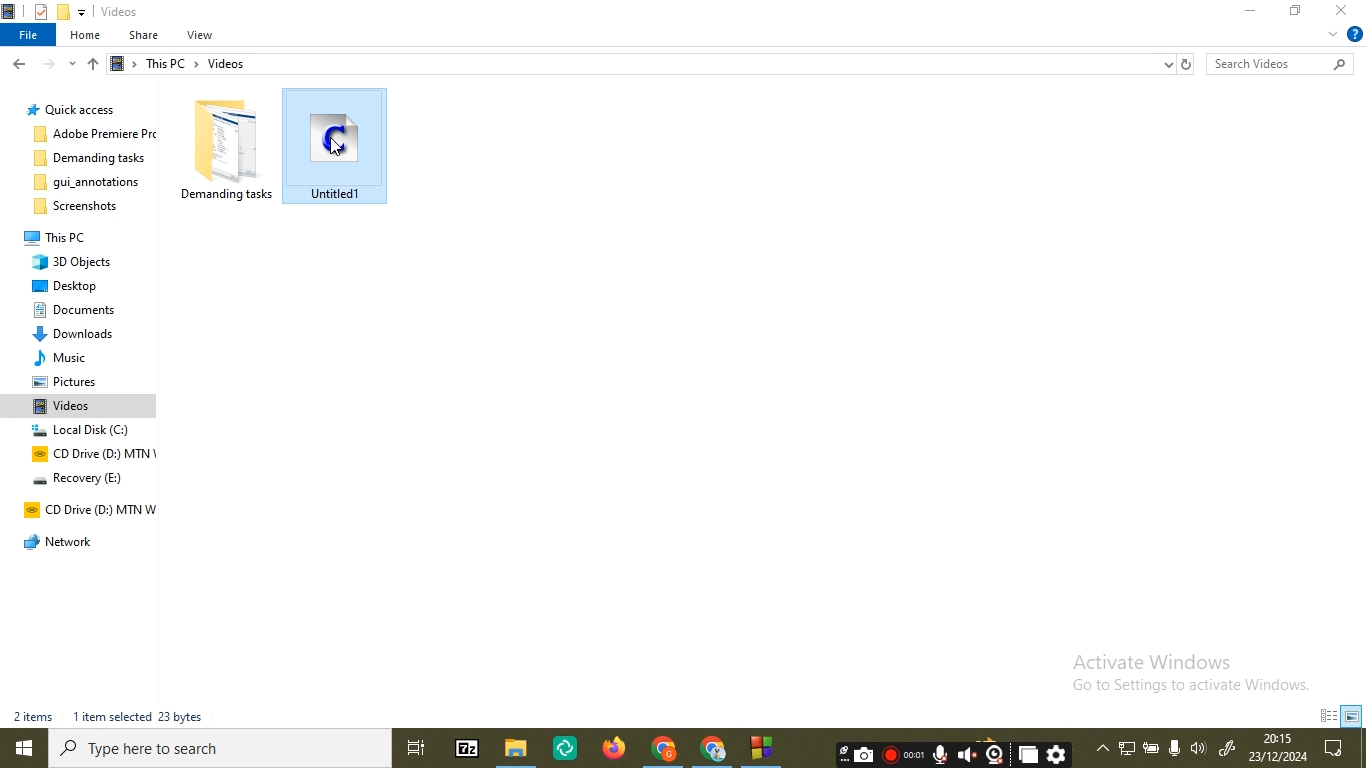 Image resolution: width=1366 pixels, height=768 pixels. Describe the element at coordinates (145, 35) in the screenshot. I see `share` at that location.